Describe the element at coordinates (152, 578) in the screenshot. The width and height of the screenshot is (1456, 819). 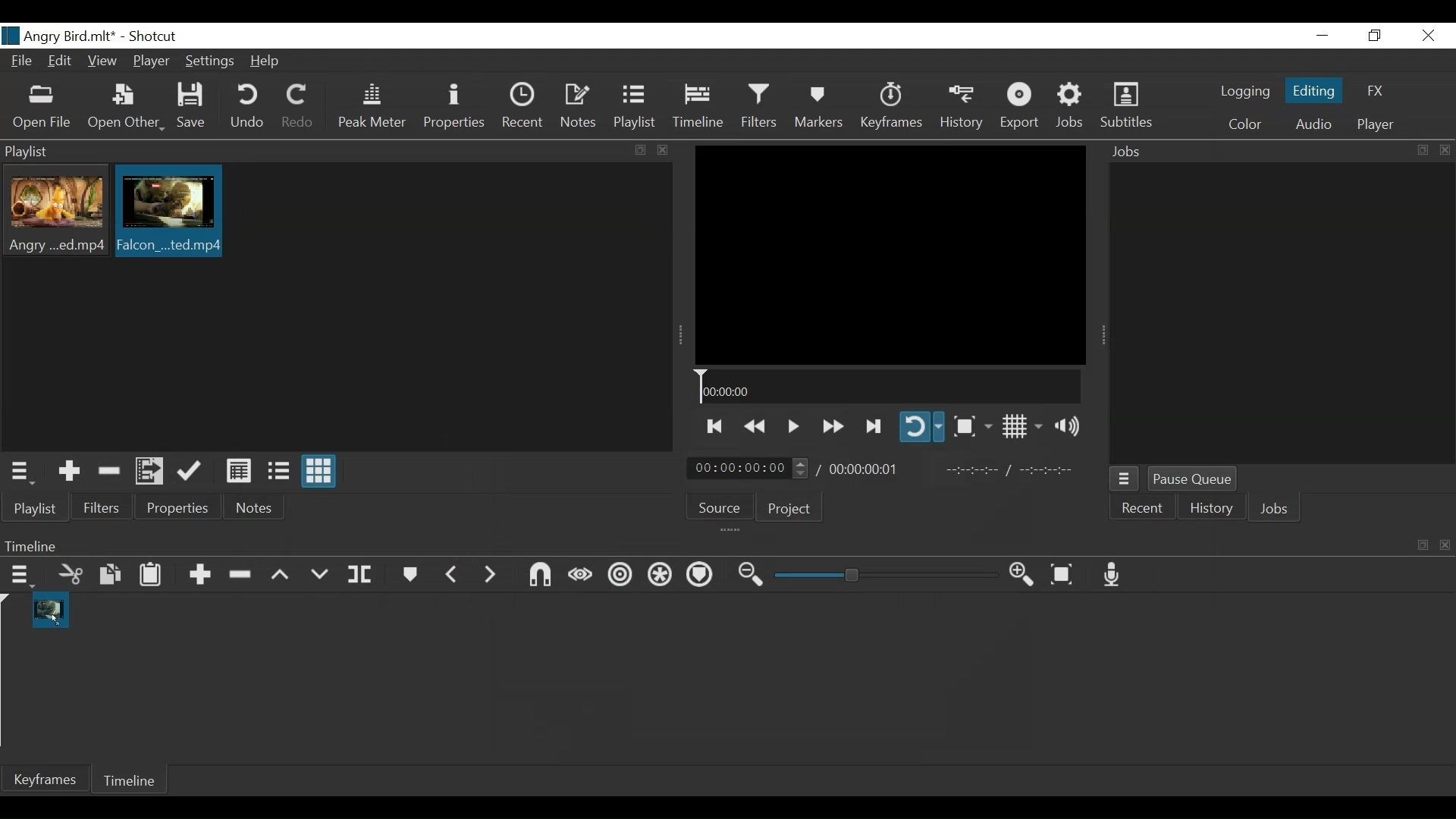
I see `Paste` at that location.